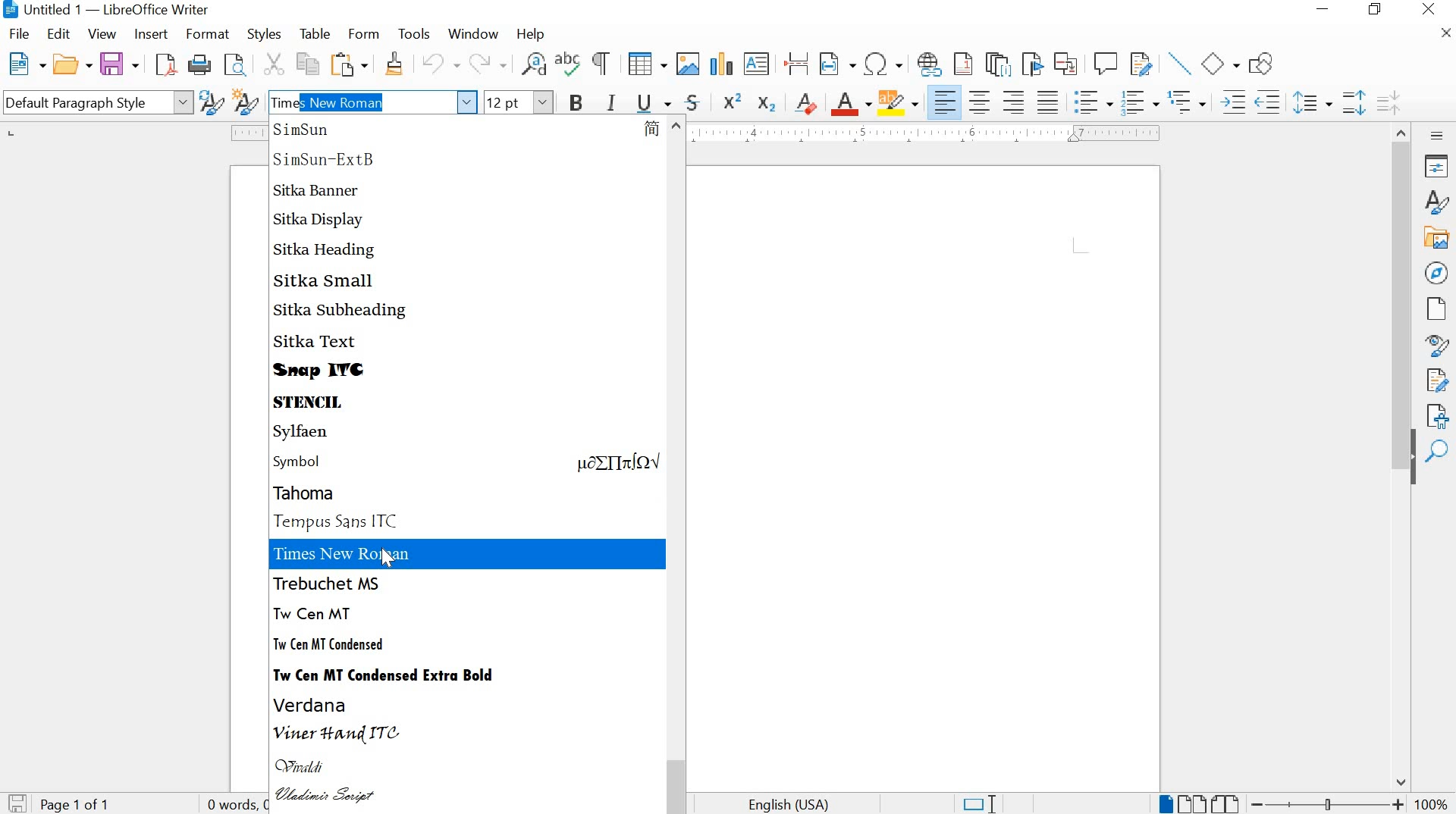  I want to click on SITKA BANNER, so click(319, 191).